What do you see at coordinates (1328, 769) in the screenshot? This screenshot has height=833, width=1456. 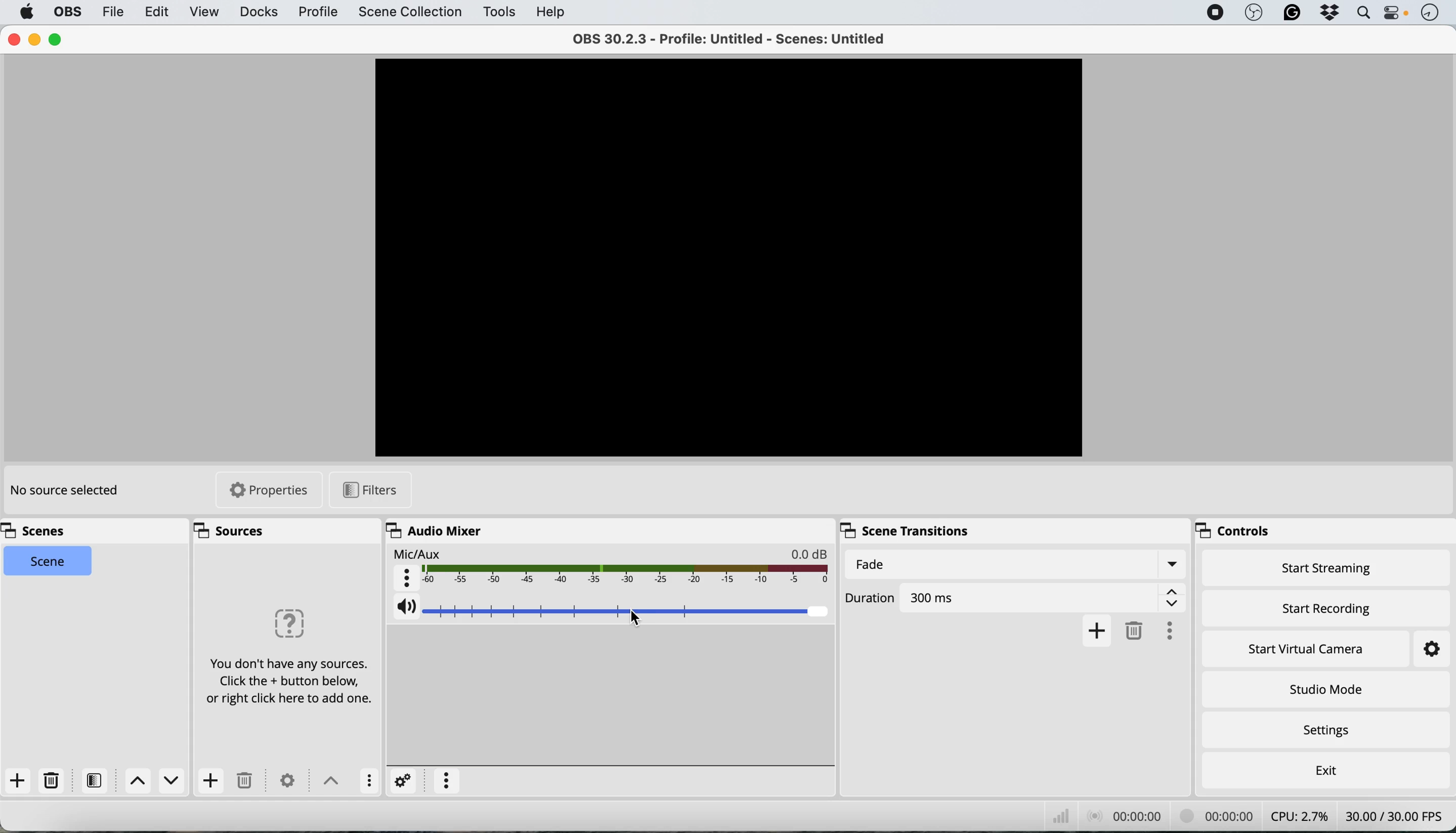 I see `exit` at bounding box center [1328, 769].